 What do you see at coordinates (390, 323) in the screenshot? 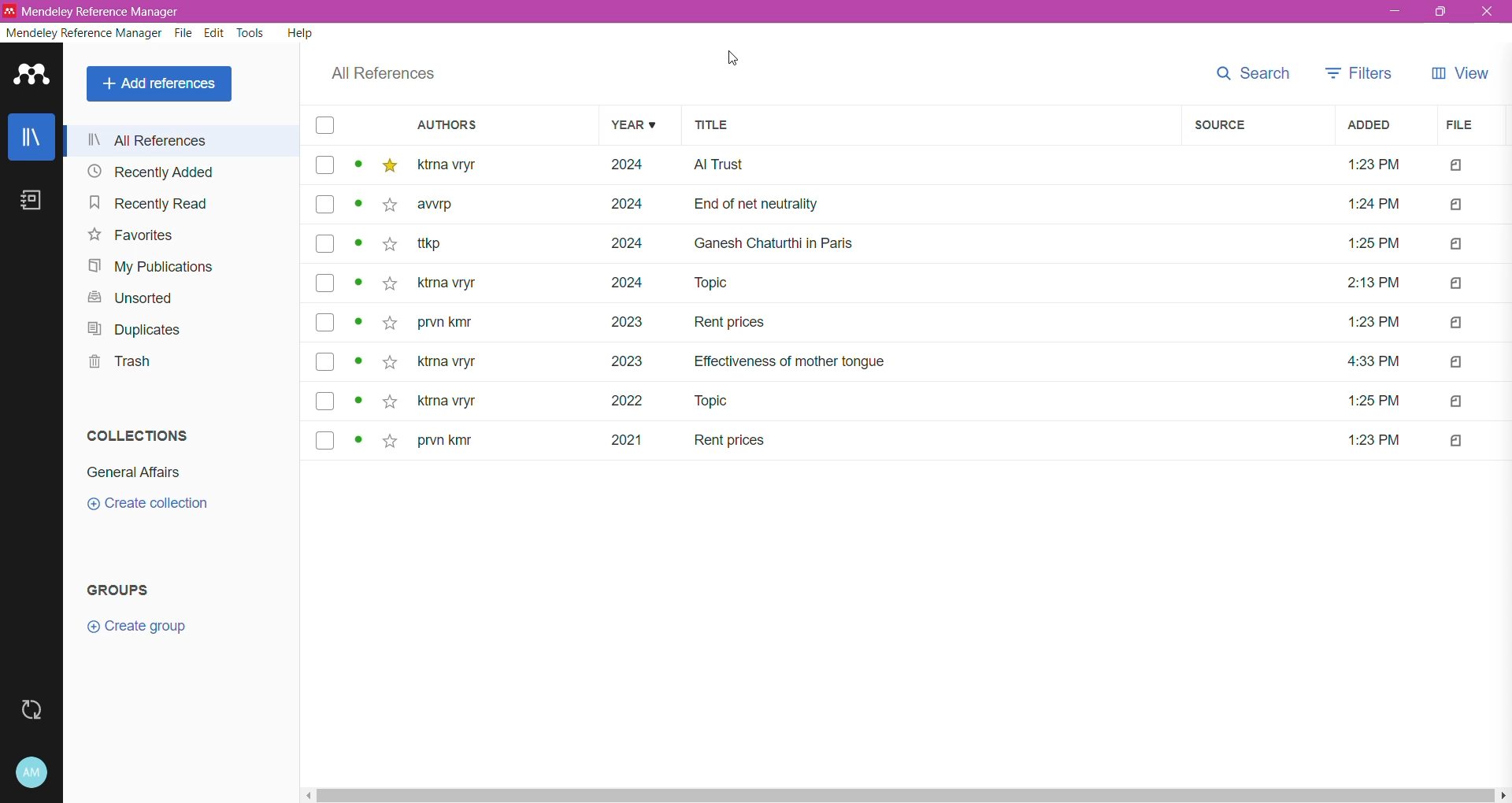
I see `favorited` at bounding box center [390, 323].